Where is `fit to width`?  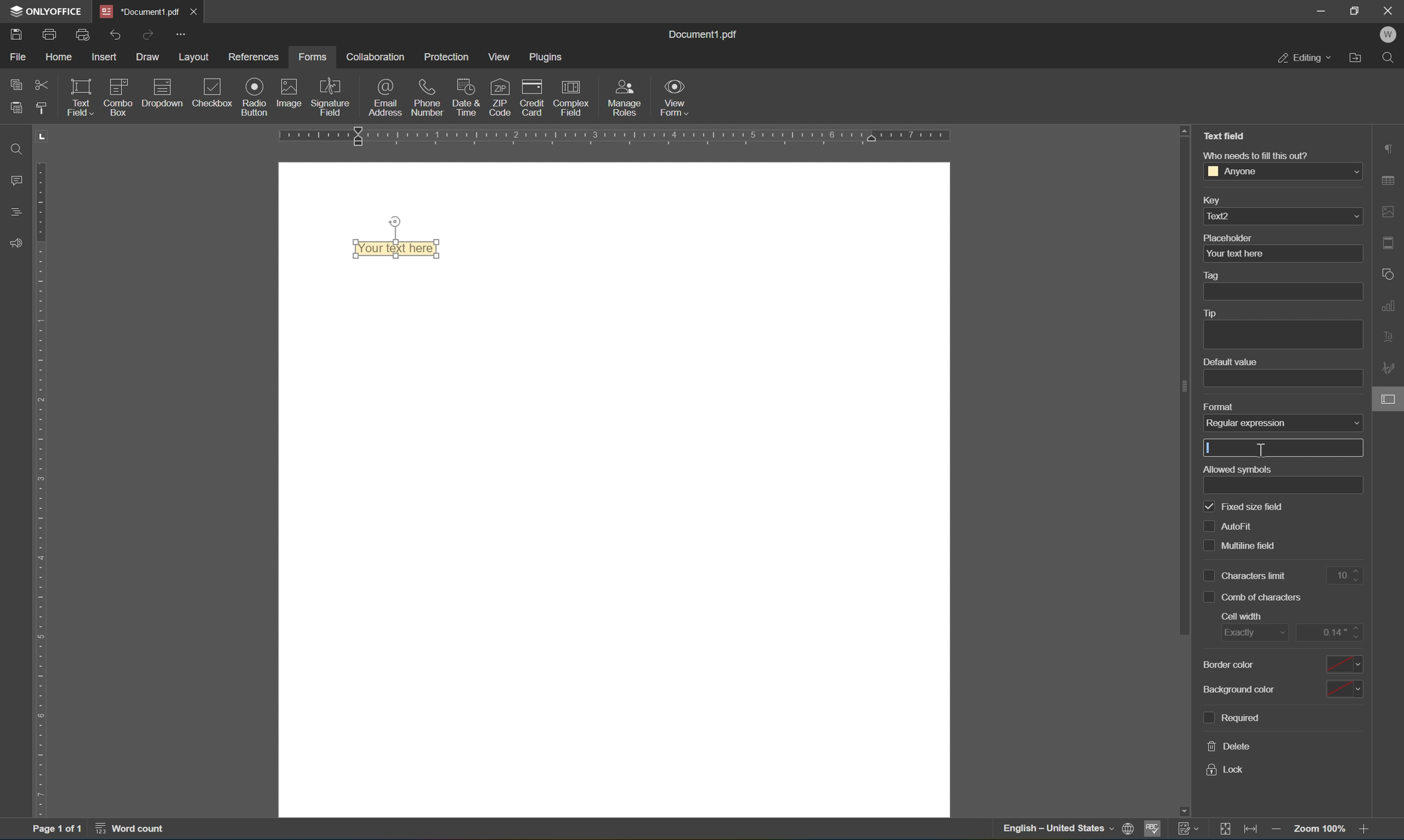
fit to width is located at coordinates (1251, 832).